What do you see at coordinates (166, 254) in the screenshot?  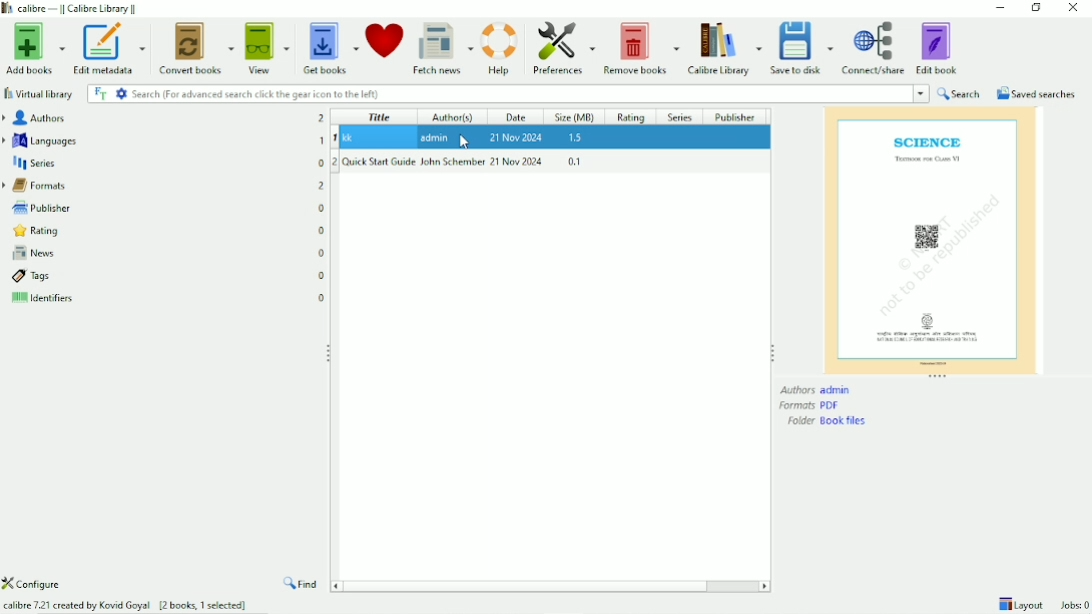 I see `News` at bounding box center [166, 254].